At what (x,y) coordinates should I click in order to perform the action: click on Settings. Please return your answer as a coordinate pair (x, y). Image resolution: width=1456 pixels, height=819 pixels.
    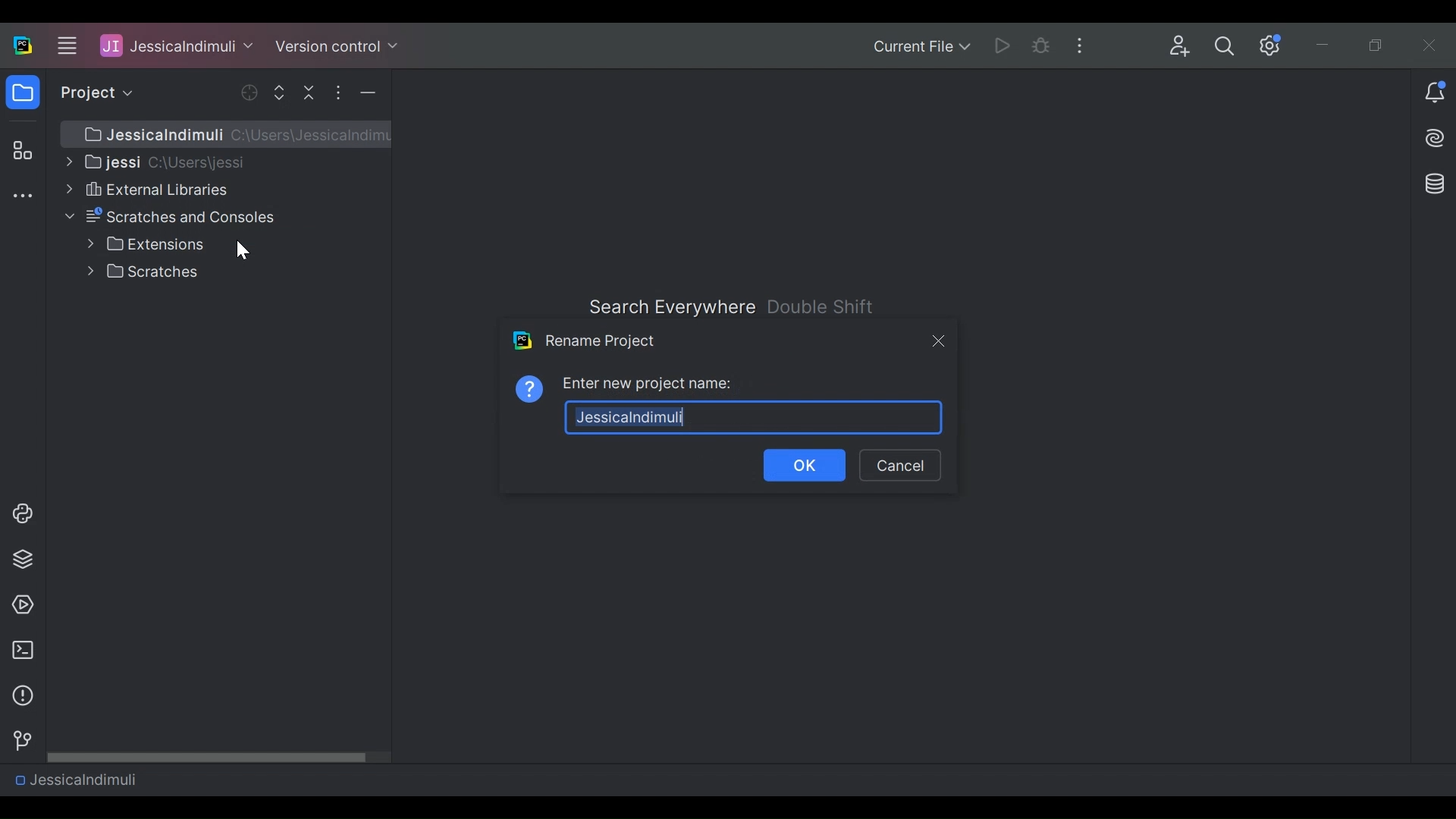
    Looking at the image, I should click on (1271, 45).